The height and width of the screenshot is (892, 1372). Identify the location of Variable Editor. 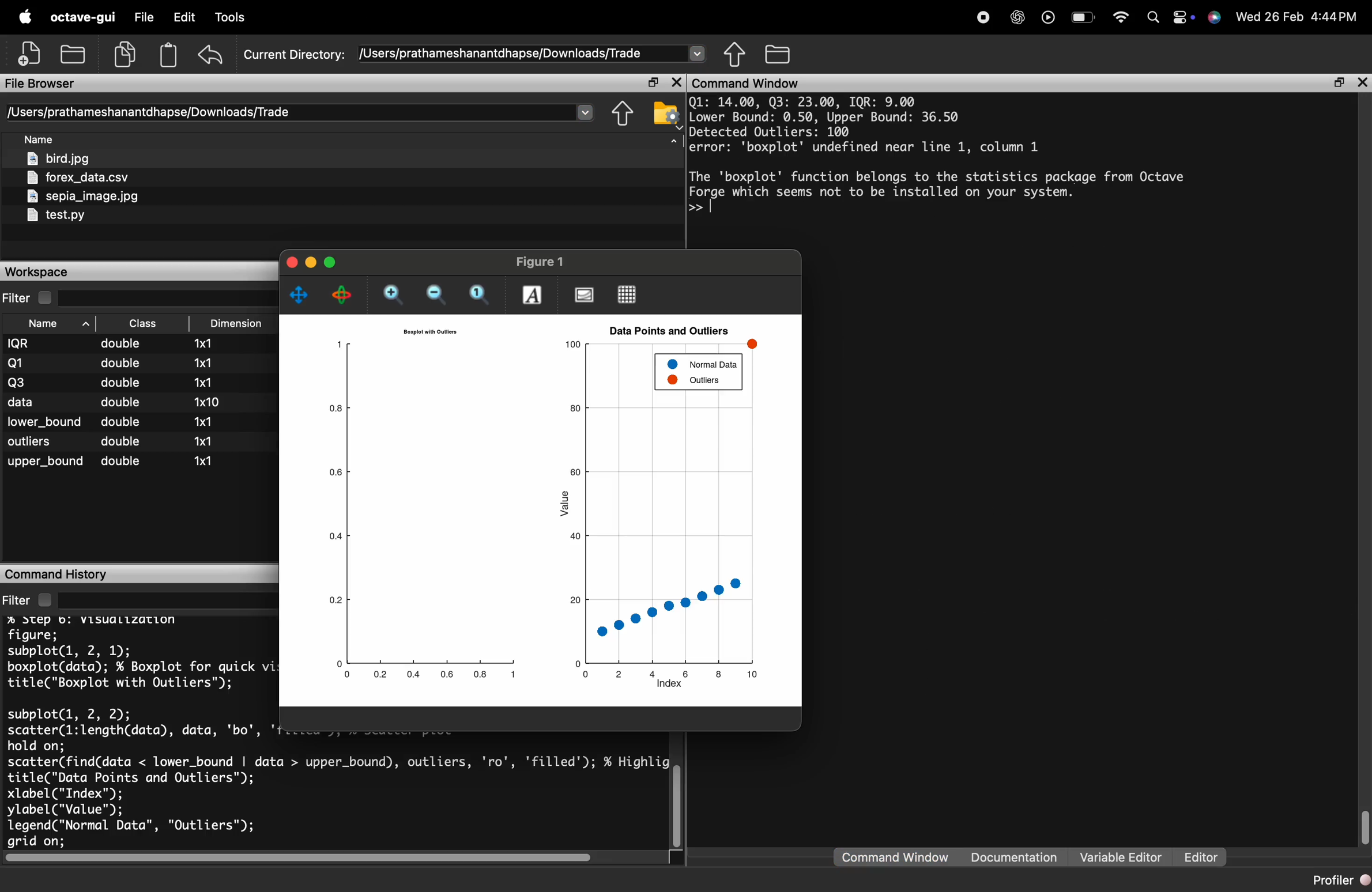
(1123, 856).